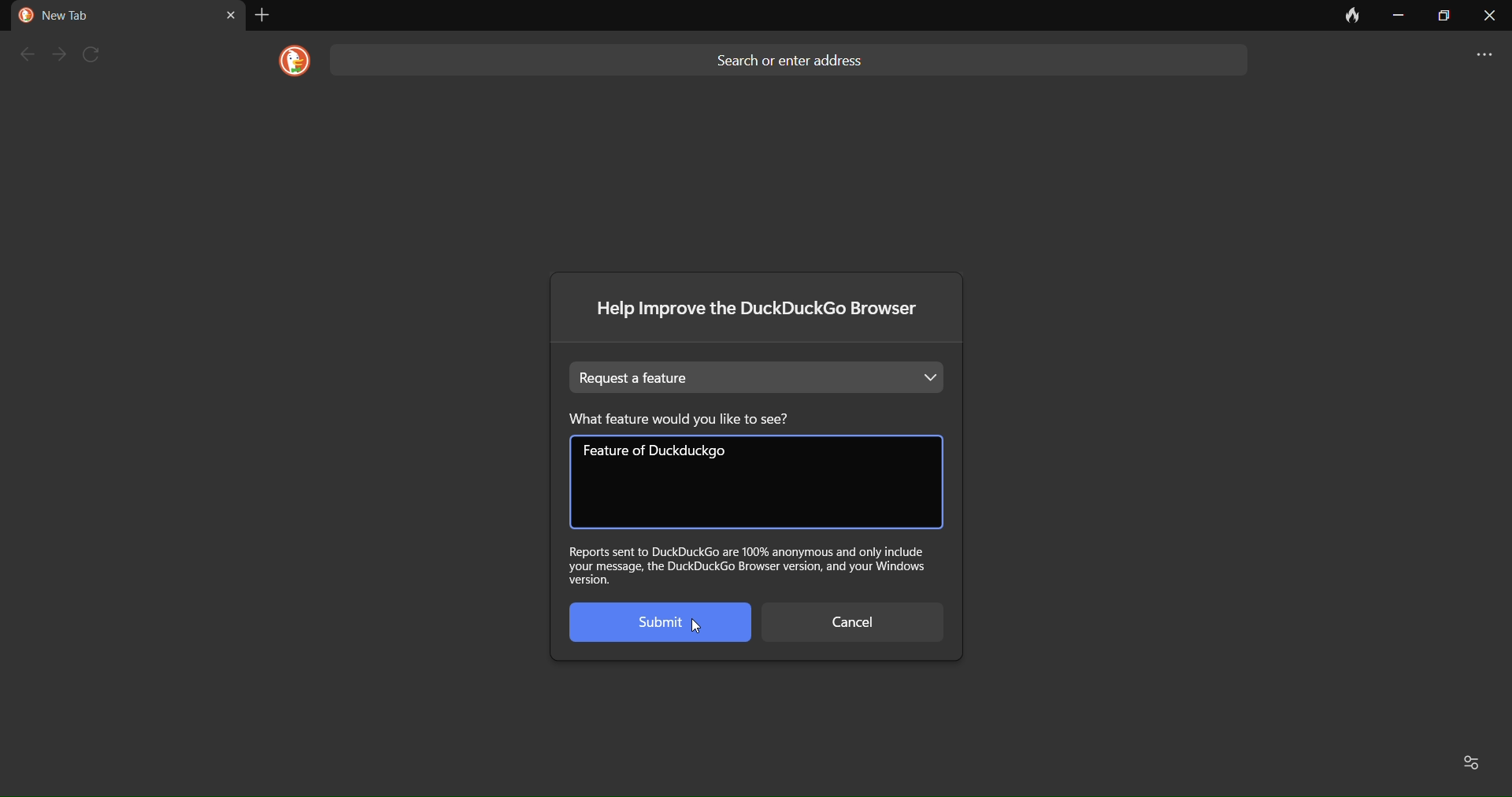  I want to click on feature of duckduckgo, so click(759, 482).